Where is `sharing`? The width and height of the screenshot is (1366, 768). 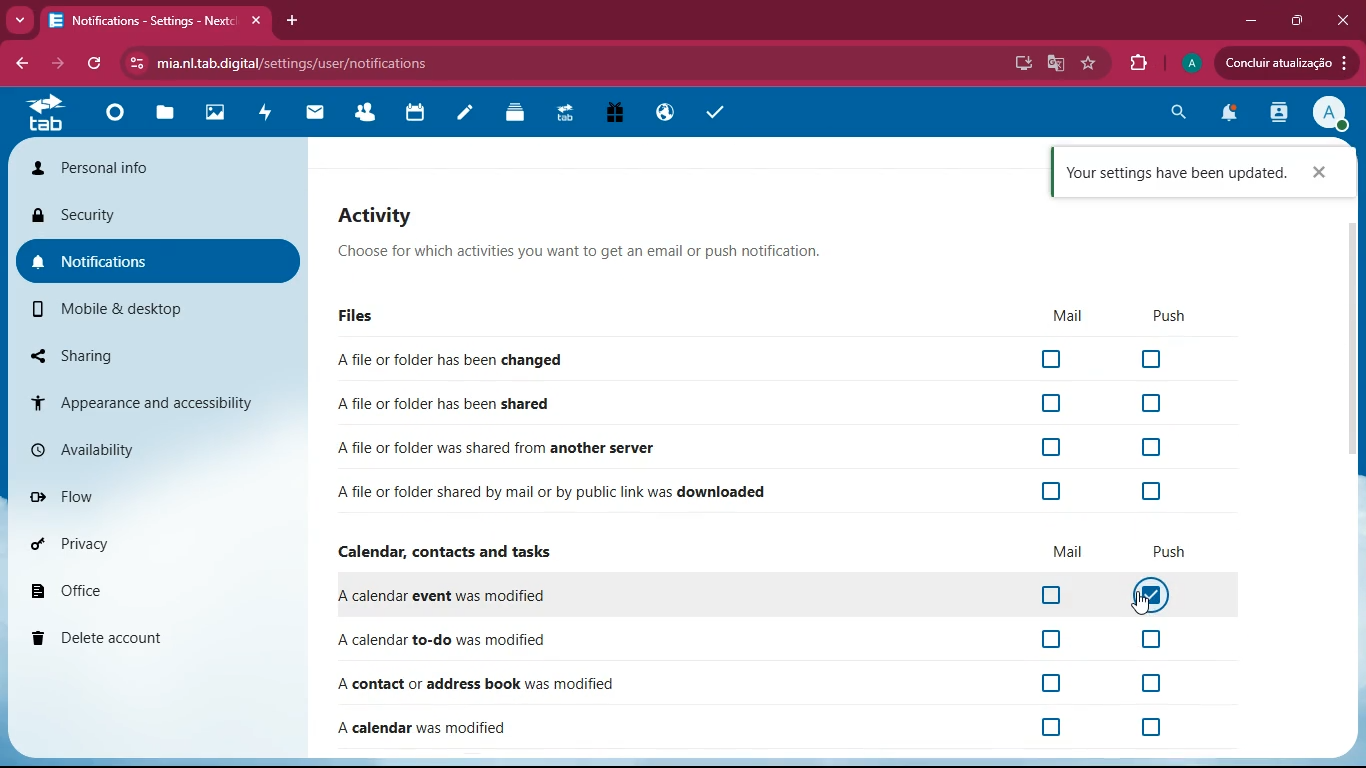 sharing is located at coordinates (147, 353).